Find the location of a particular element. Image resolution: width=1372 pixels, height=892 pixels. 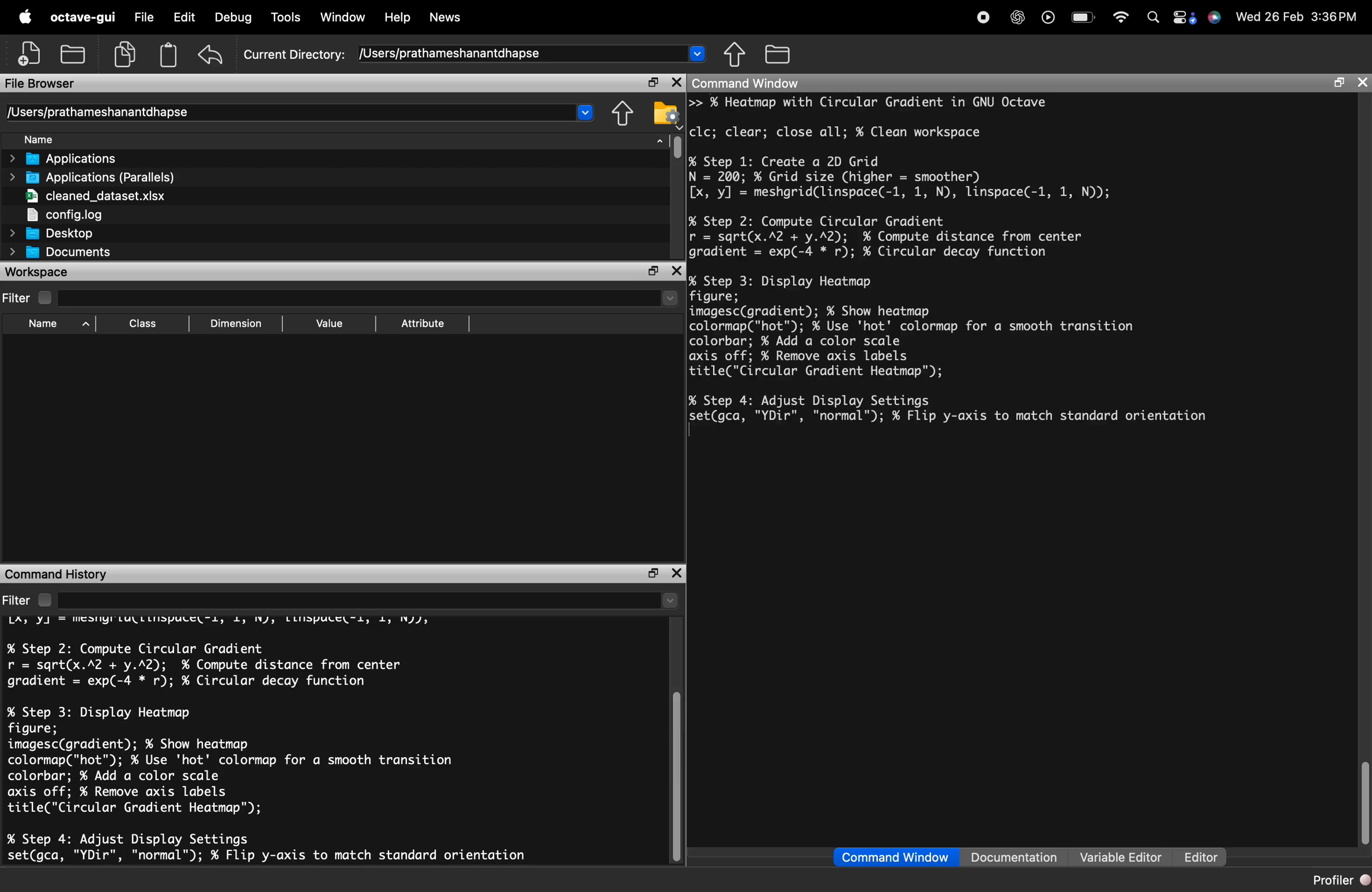

vertical scrollbar is located at coordinates (673, 149).